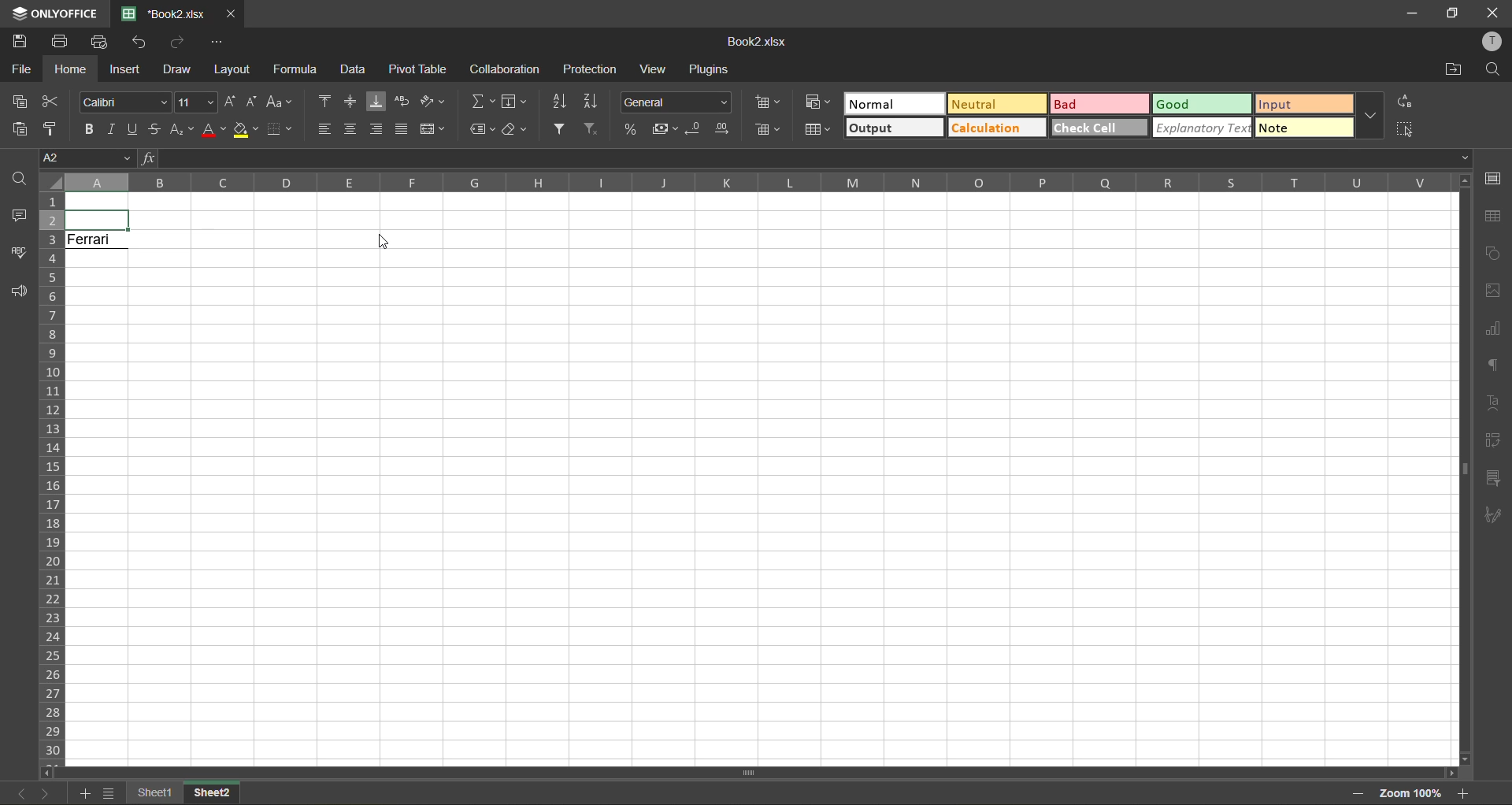 The width and height of the screenshot is (1512, 805). What do you see at coordinates (766, 105) in the screenshot?
I see `insert cells` at bounding box center [766, 105].